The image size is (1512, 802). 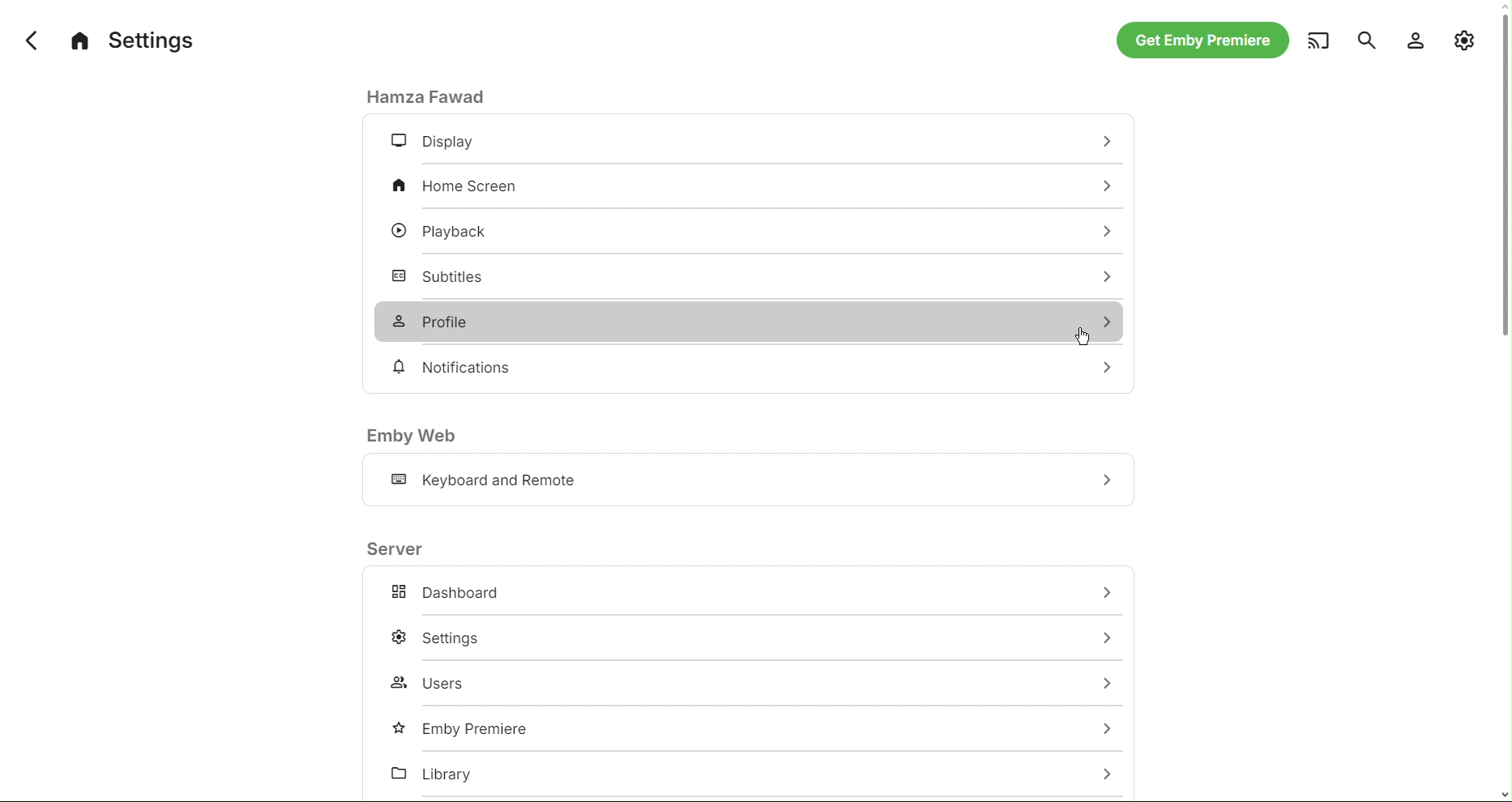 I want to click on Search, so click(x=1364, y=41).